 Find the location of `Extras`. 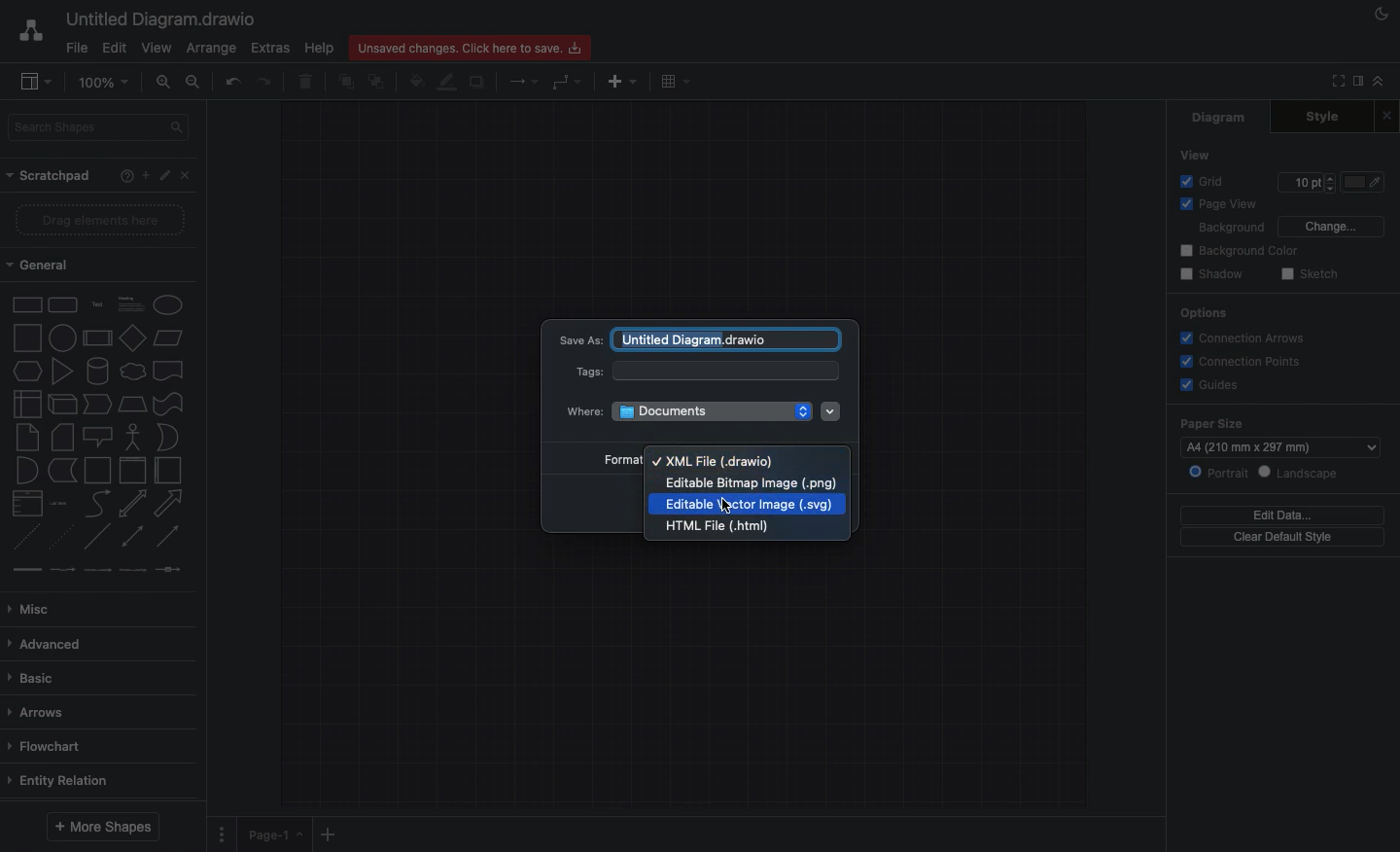

Extras is located at coordinates (269, 48).